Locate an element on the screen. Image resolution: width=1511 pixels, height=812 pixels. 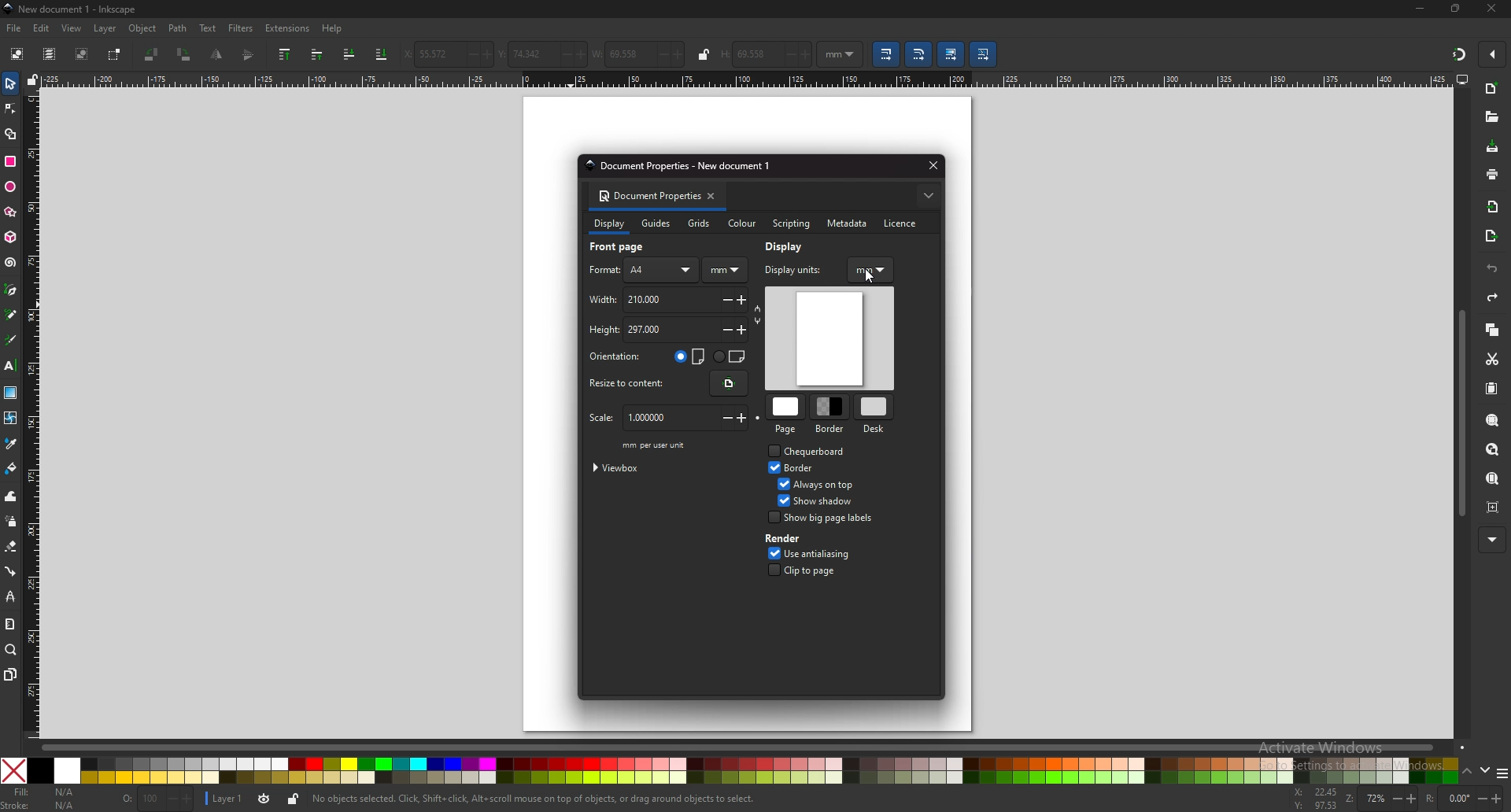
lpe is located at coordinates (9, 597).